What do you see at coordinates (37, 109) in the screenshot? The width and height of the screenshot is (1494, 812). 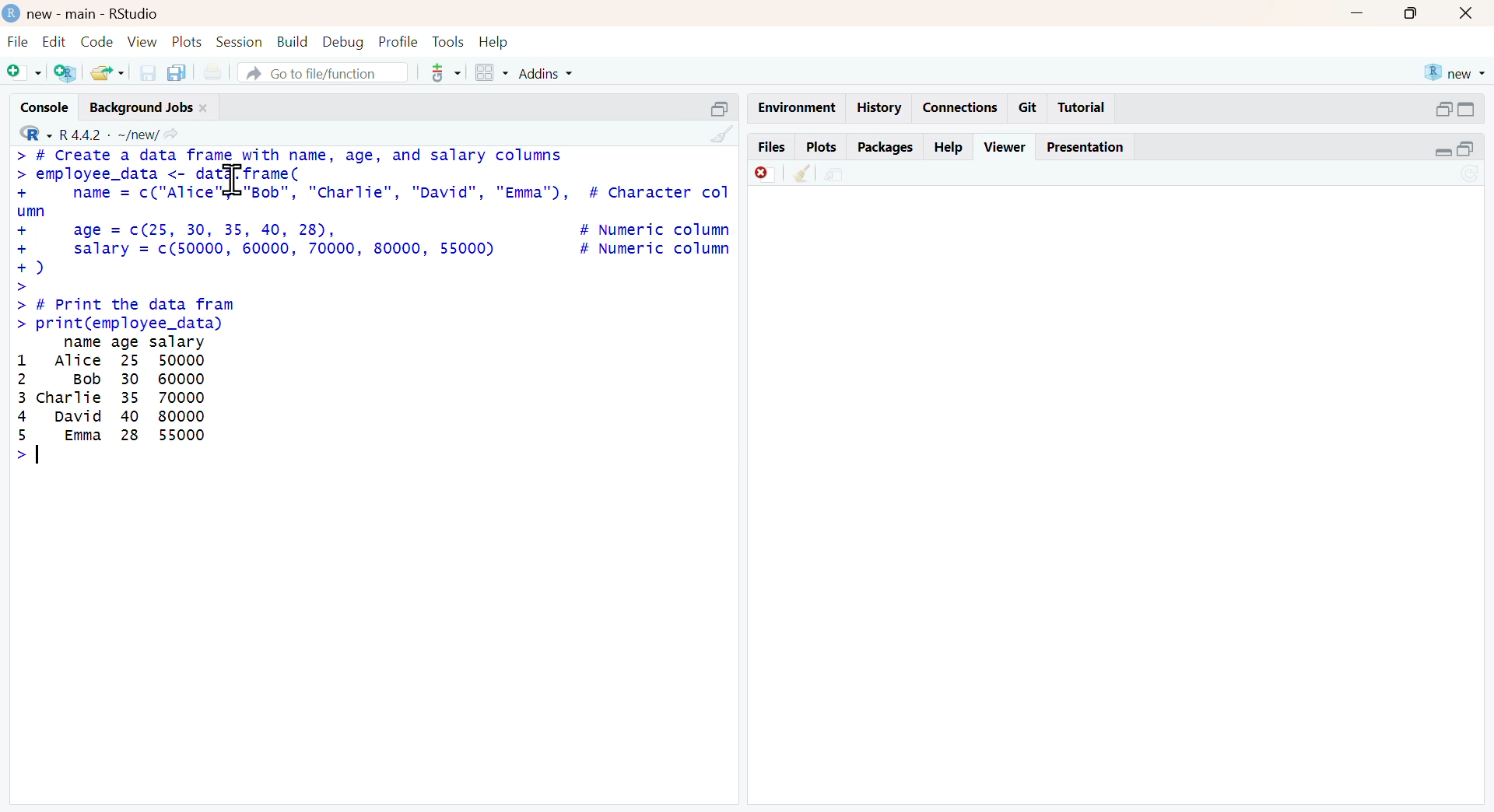 I see `Console` at bounding box center [37, 109].